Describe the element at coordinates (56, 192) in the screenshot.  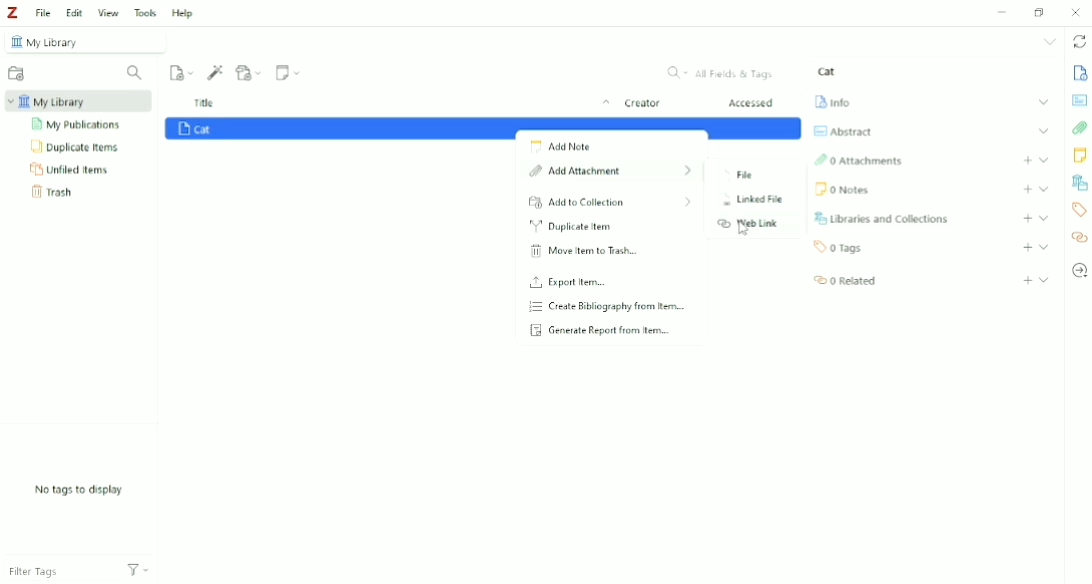
I see `Trash` at that location.